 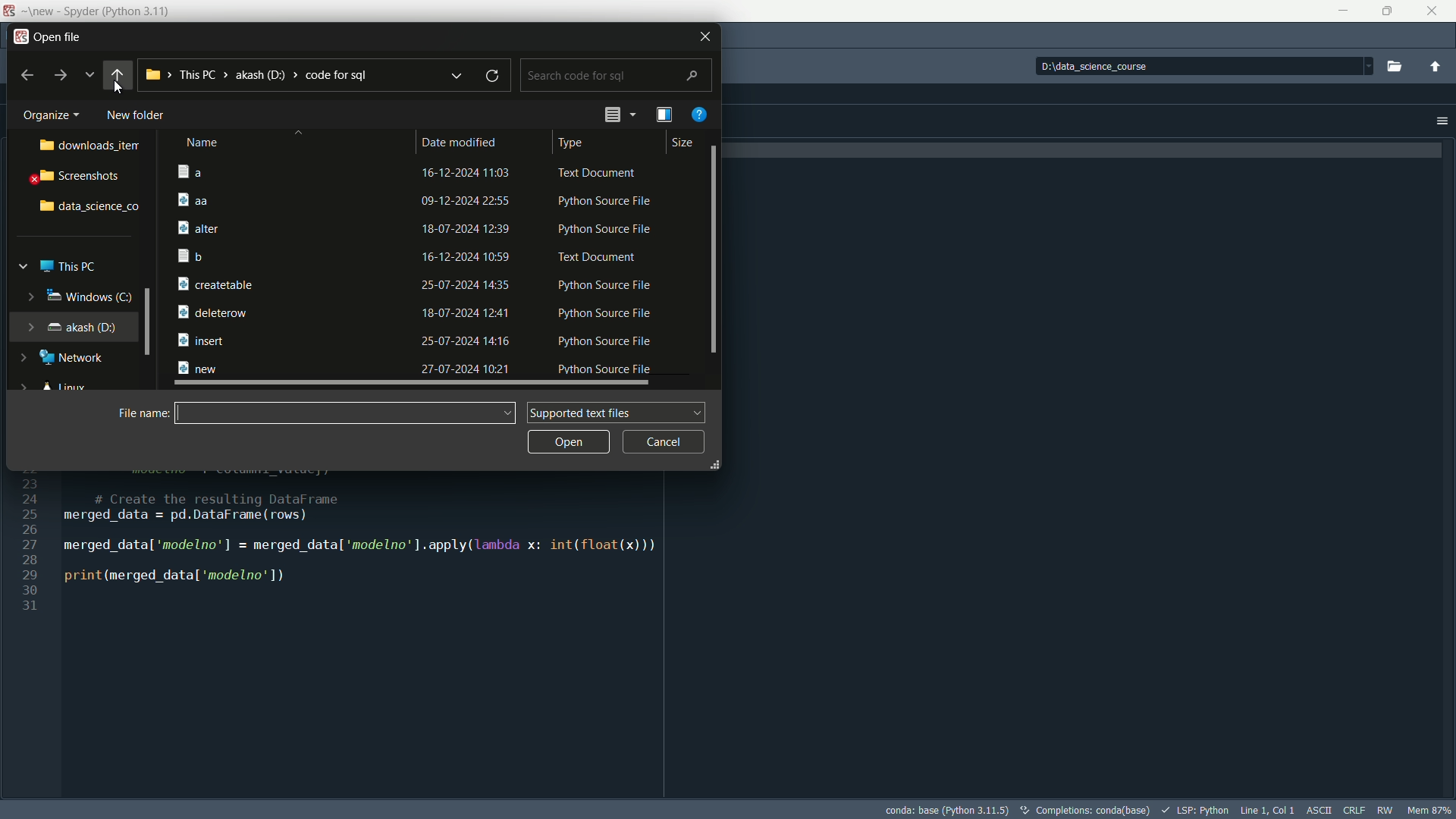 I want to click on dropdown, so click(x=1366, y=66).